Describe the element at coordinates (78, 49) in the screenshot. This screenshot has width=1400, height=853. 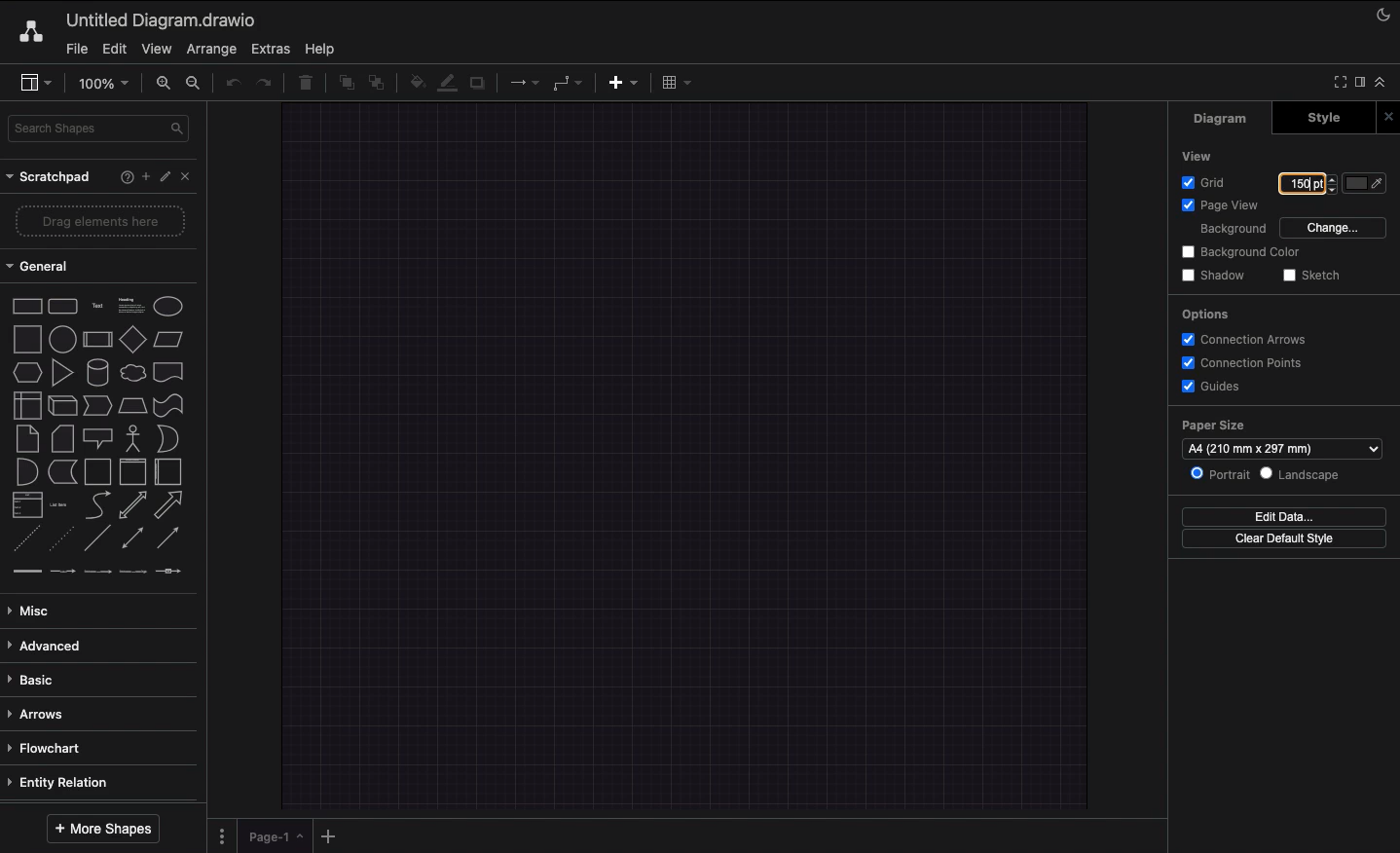
I see `File` at that location.